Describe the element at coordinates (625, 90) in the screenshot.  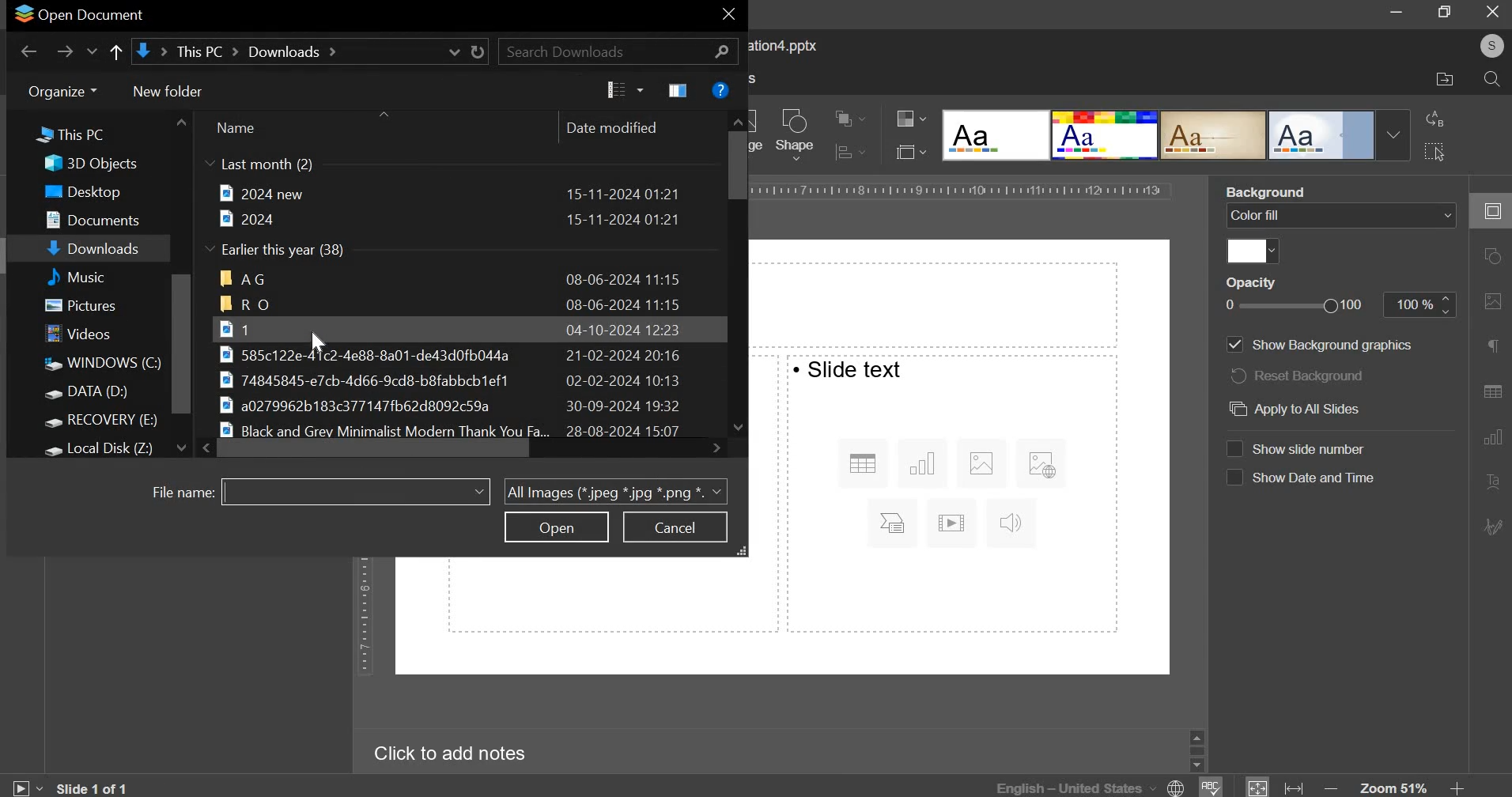
I see `sort` at that location.